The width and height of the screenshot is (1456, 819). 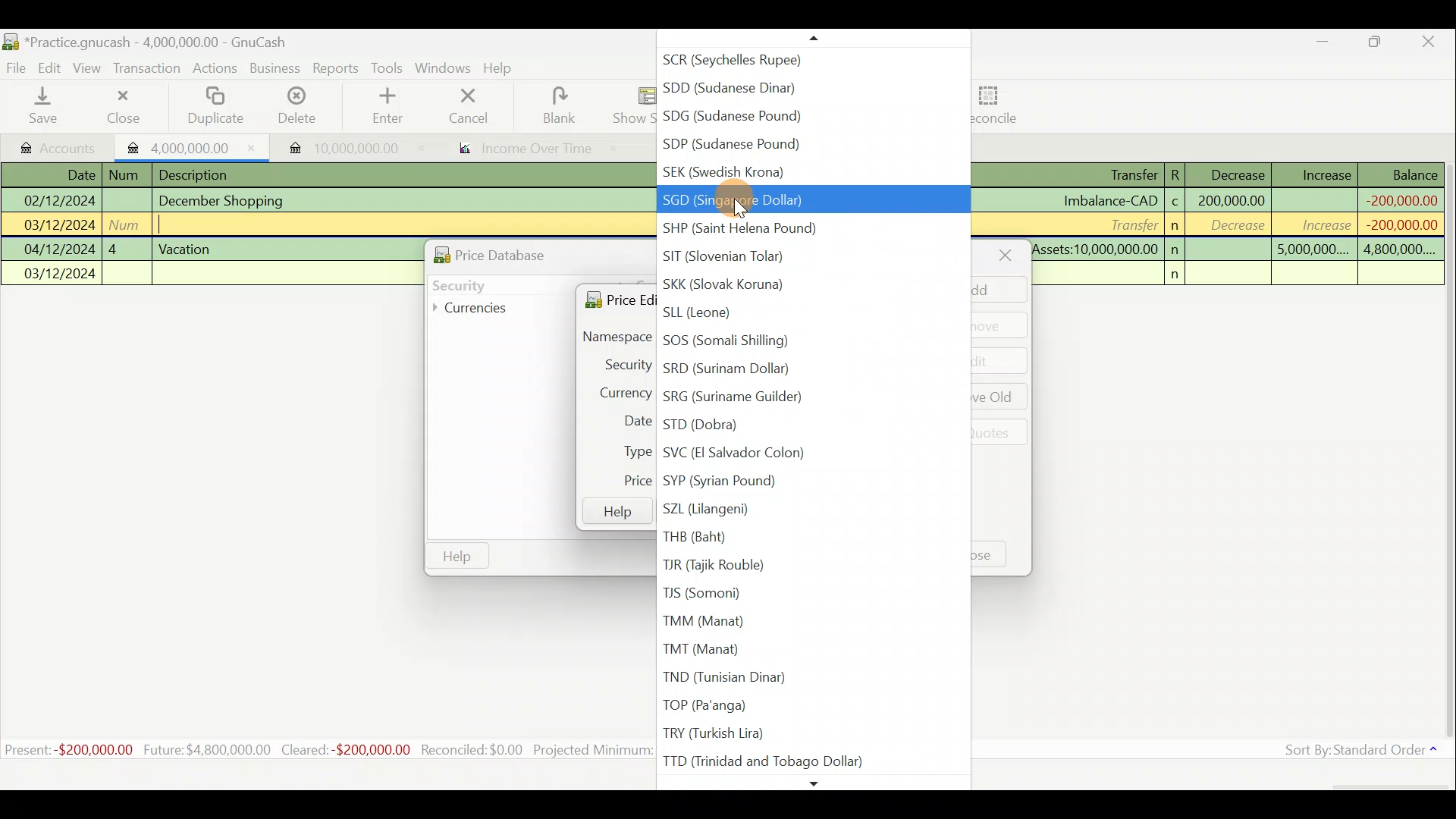 What do you see at coordinates (1396, 224) in the screenshot?
I see `-200,000,000` at bounding box center [1396, 224].